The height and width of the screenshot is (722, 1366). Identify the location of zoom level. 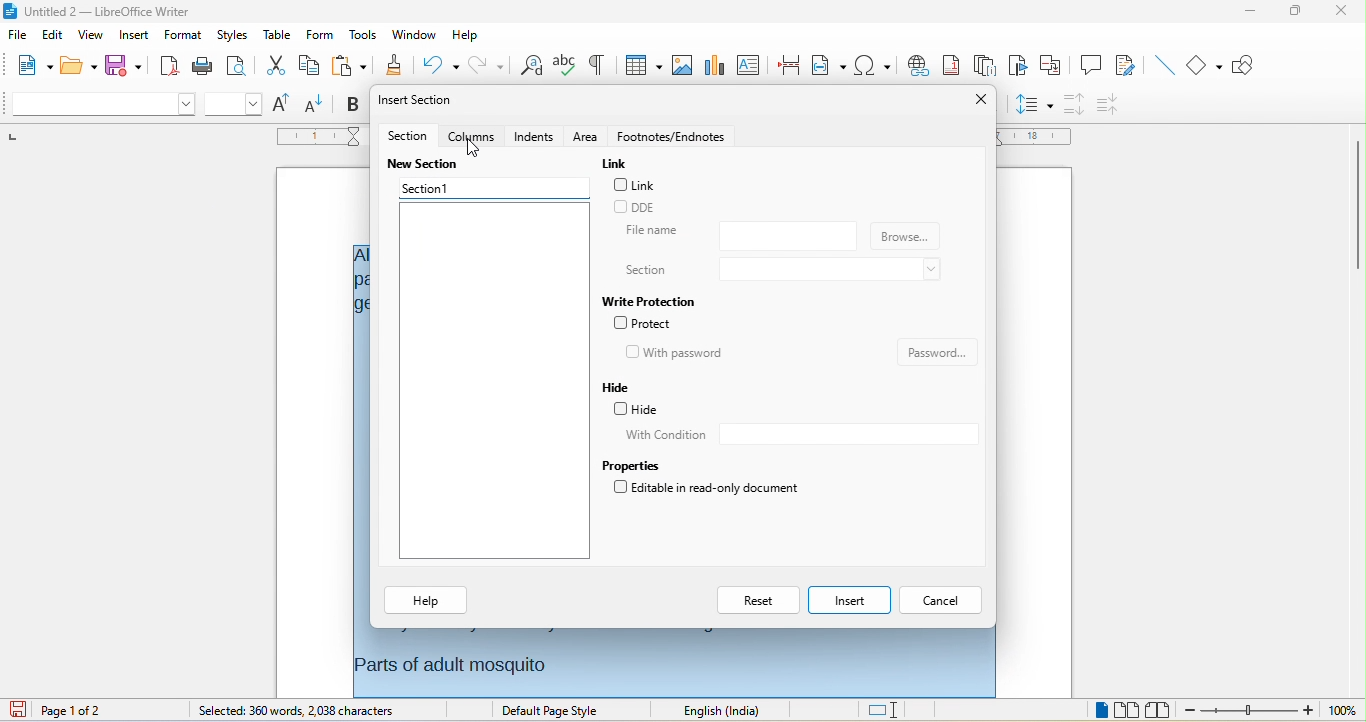
(1342, 711).